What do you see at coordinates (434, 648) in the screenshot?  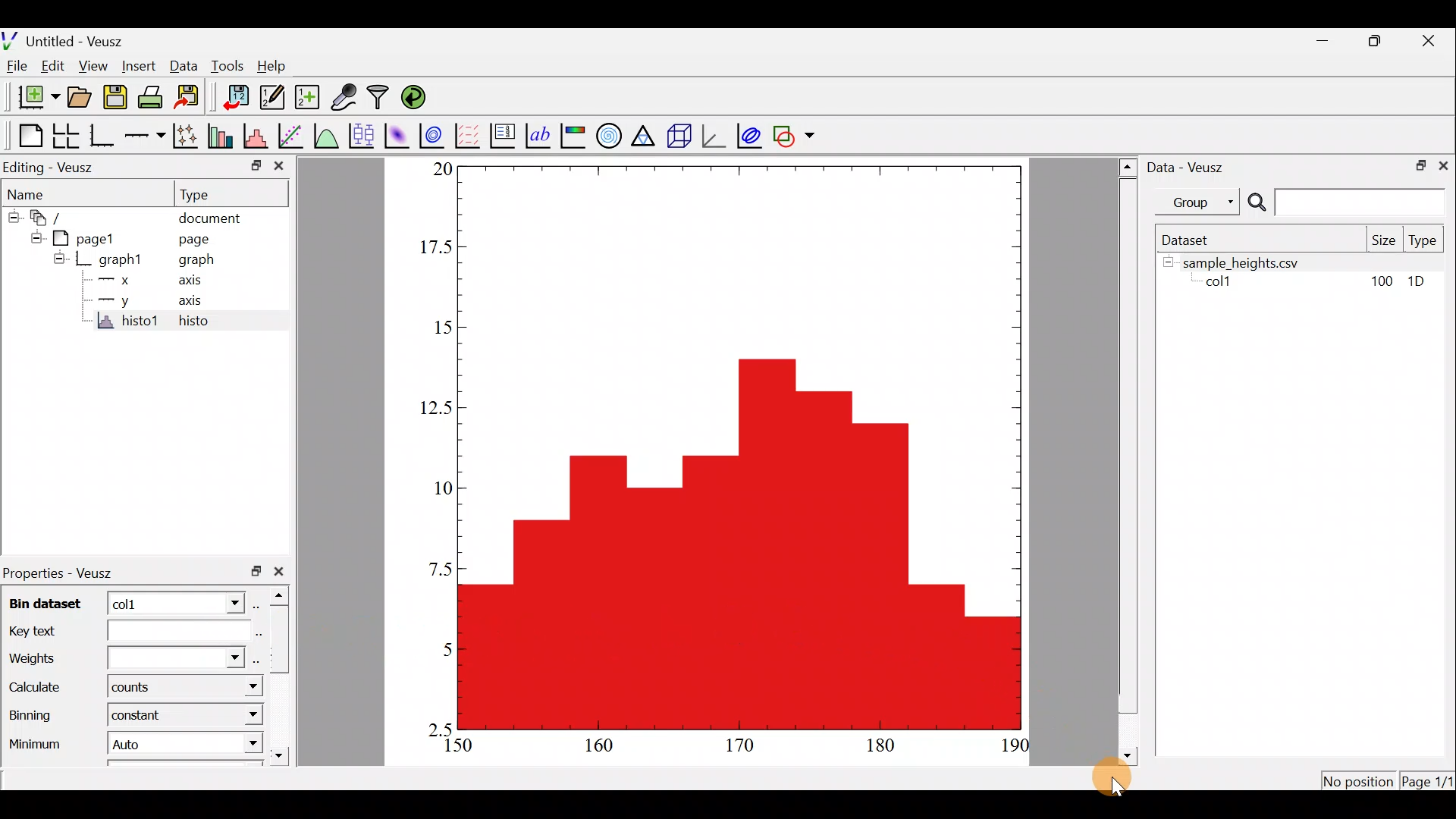 I see `5` at bounding box center [434, 648].